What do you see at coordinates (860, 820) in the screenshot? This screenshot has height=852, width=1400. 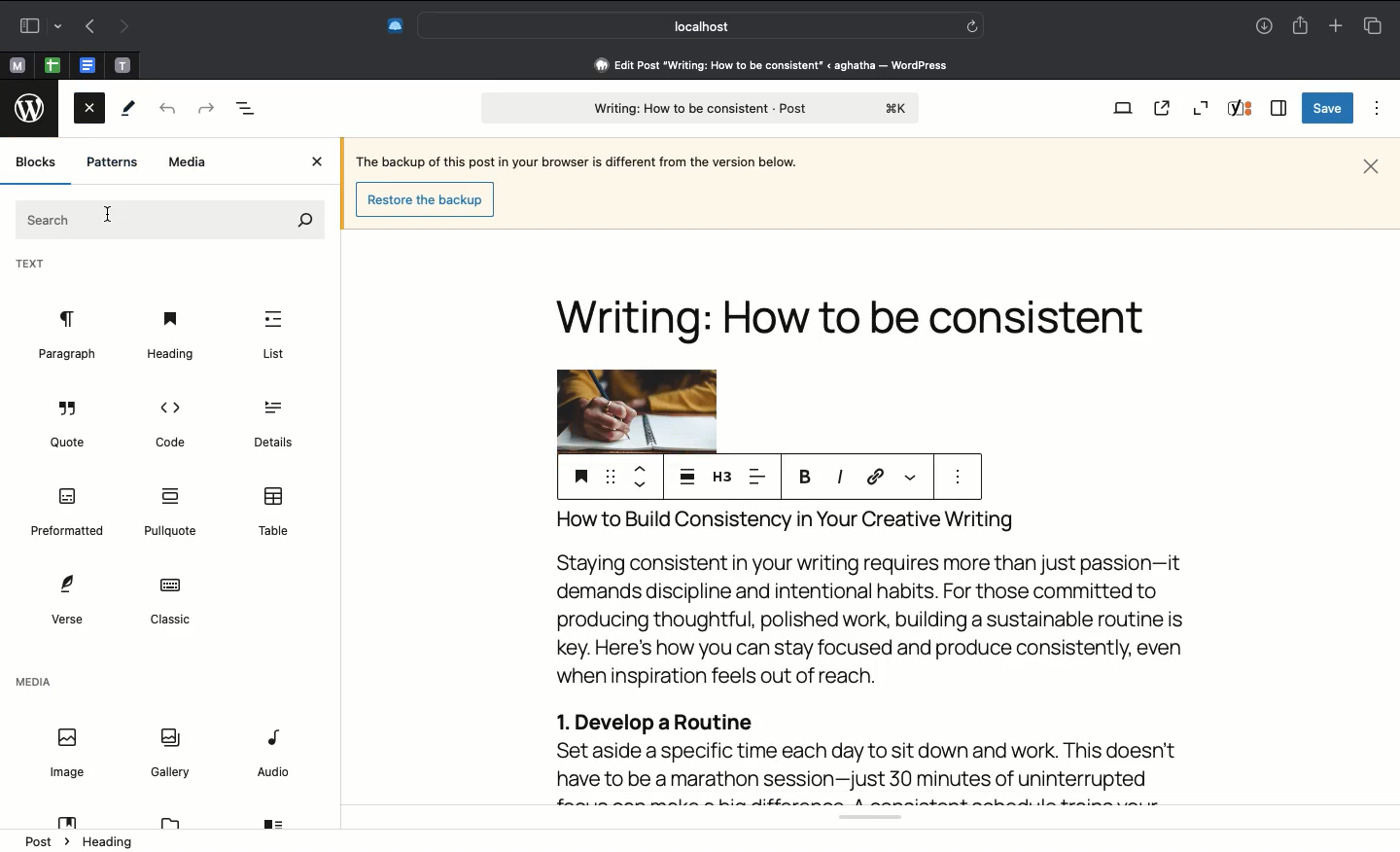 I see `Yoast` at bounding box center [860, 820].